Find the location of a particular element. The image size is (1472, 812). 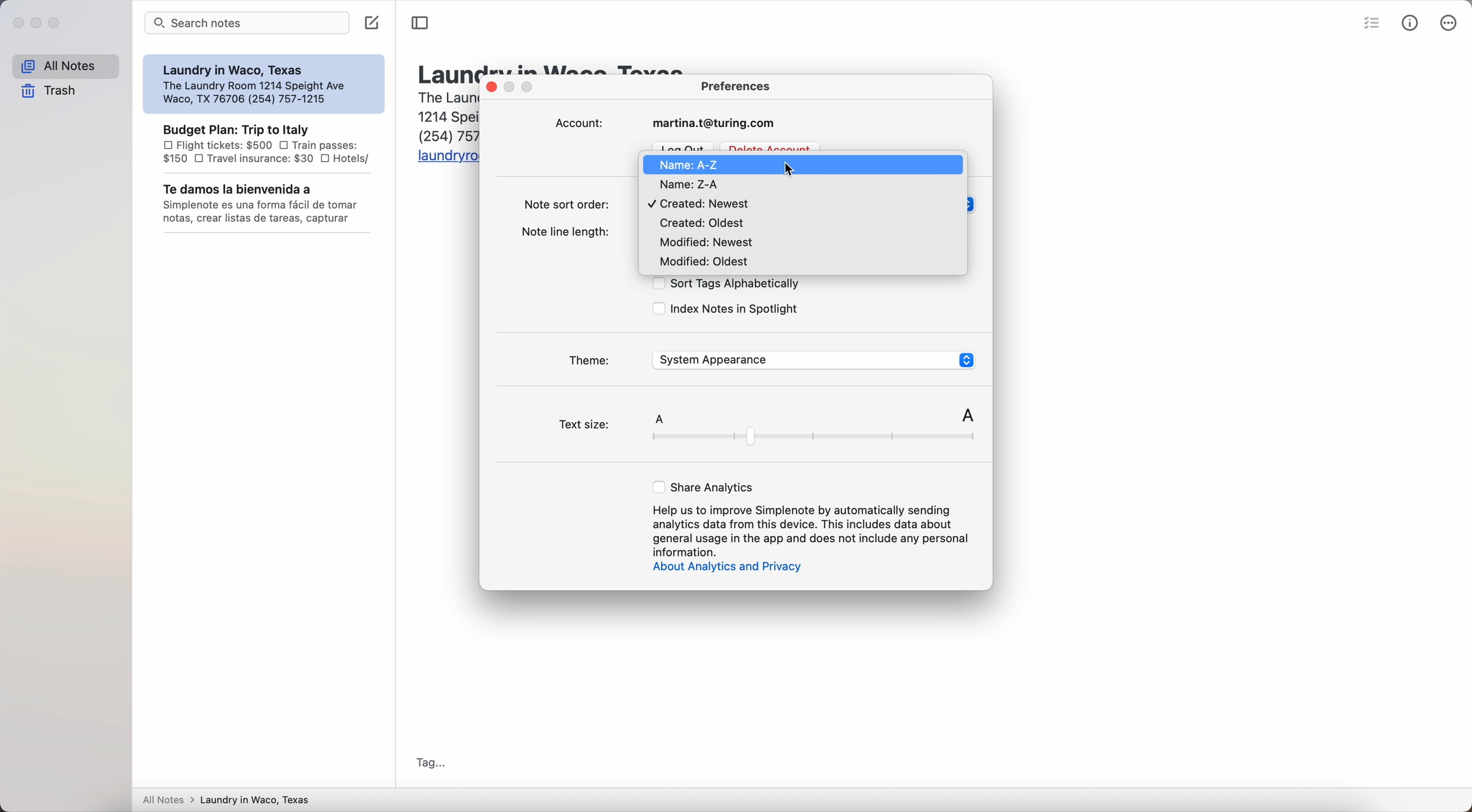

account: martina.t@turing.com is located at coordinates (670, 123).